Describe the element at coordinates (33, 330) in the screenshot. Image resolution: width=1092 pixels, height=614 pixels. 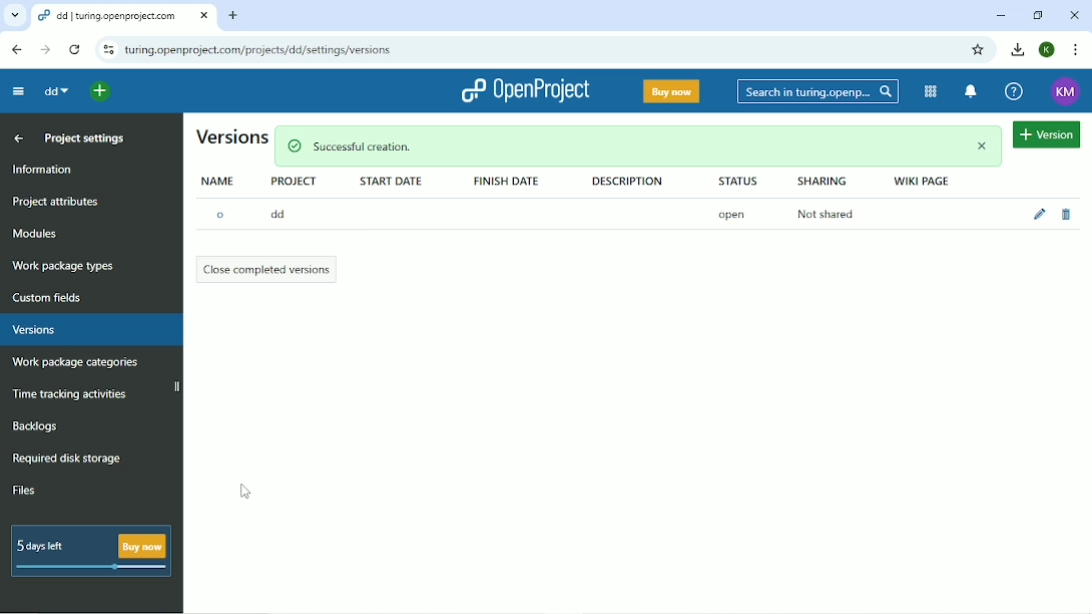
I see `Versions` at that location.